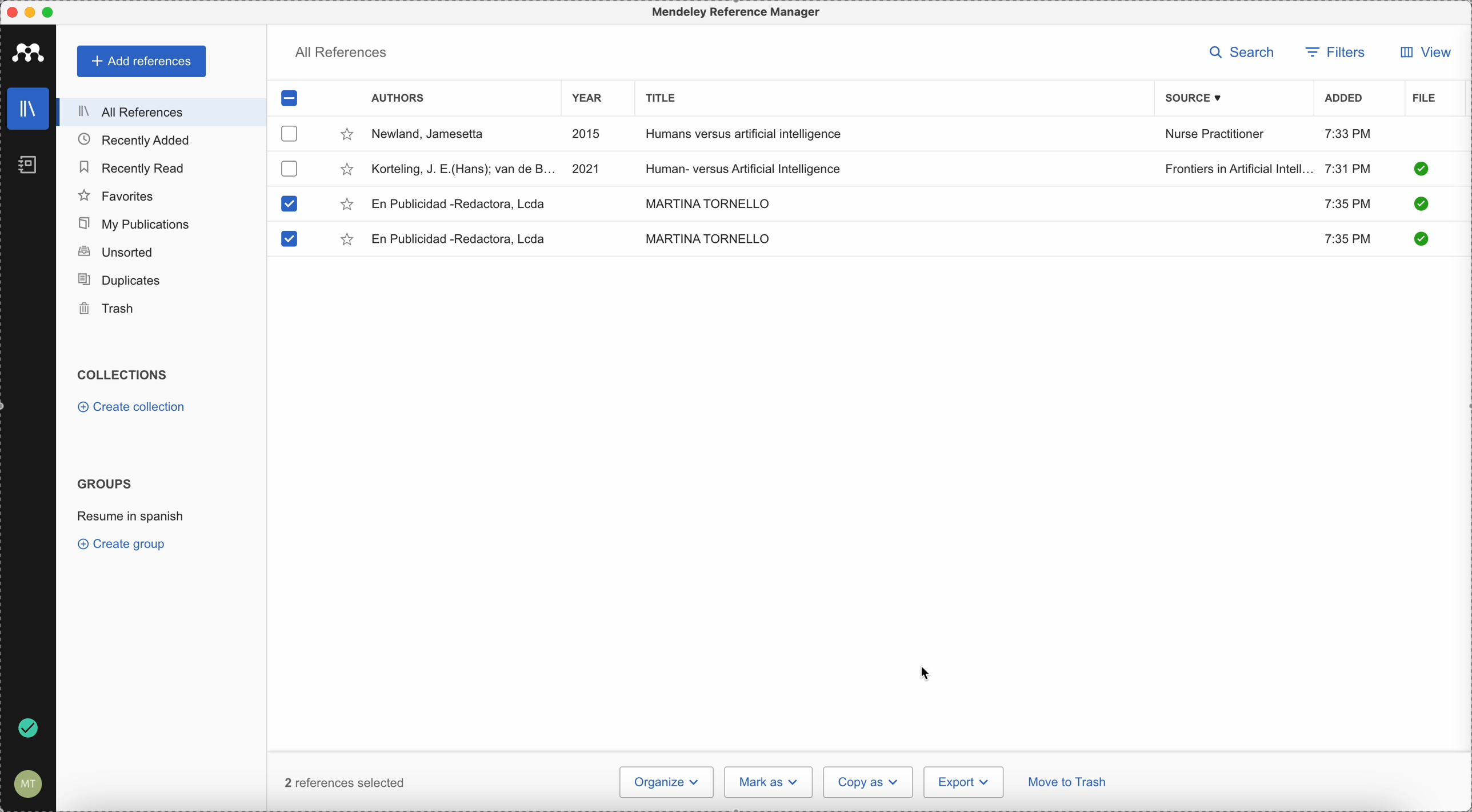  Describe the element at coordinates (346, 205) in the screenshot. I see `favorite` at that location.